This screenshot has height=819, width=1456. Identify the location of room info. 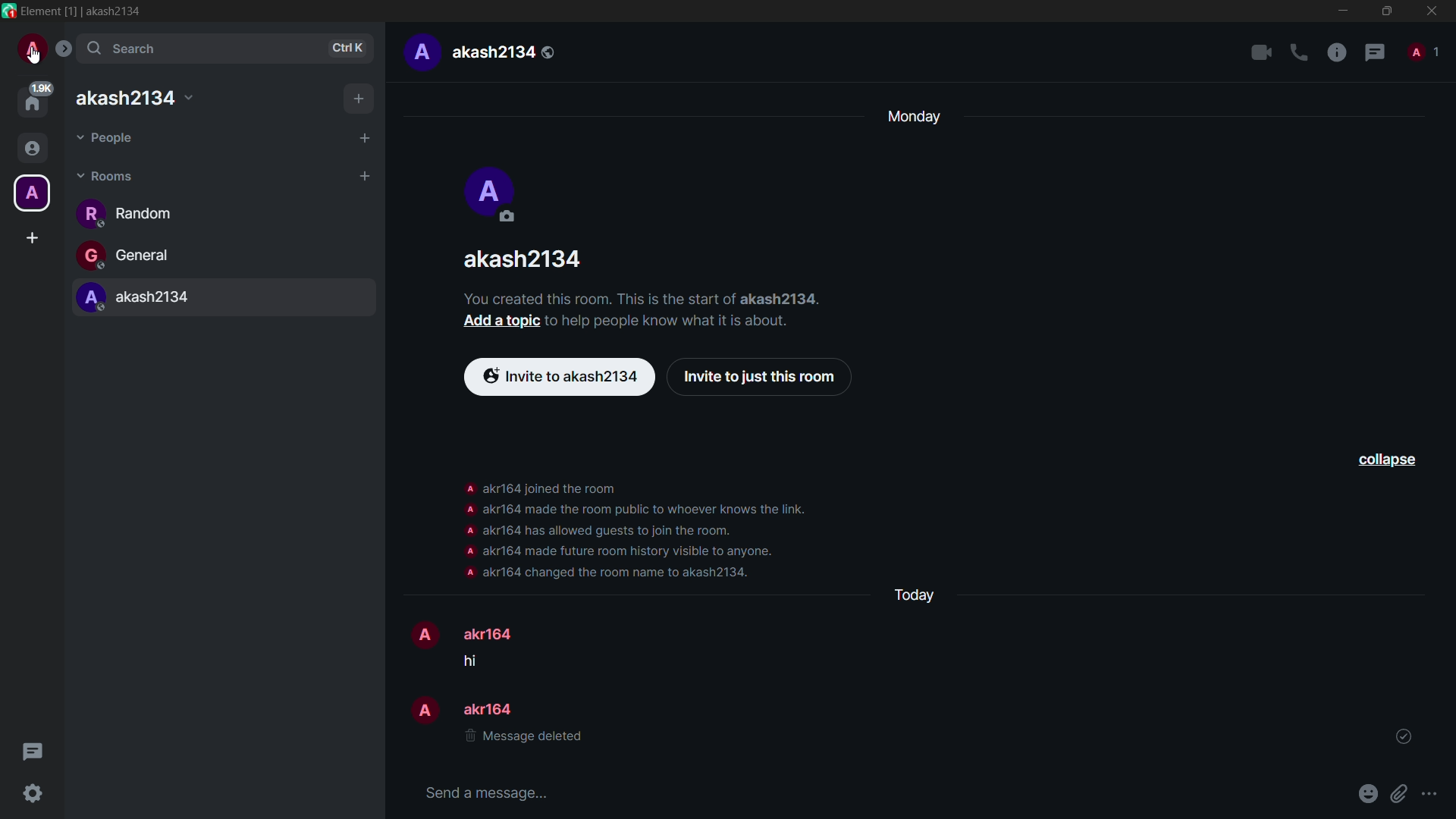
(1337, 54).